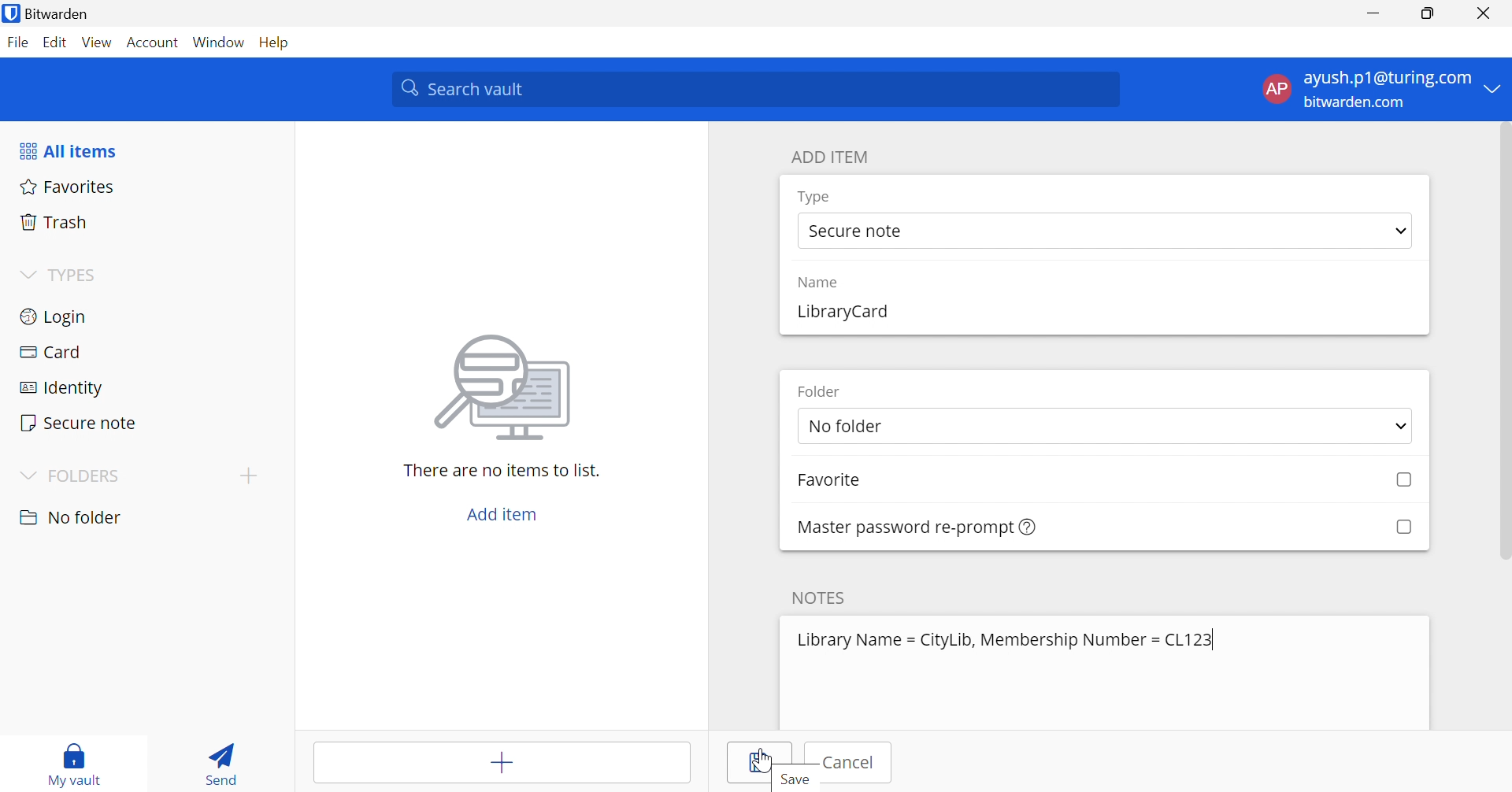 The height and width of the screenshot is (792, 1512). Describe the element at coordinates (1015, 638) in the screenshot. I see `Library Name = CityLib, Membership Number = CL123` at that location.